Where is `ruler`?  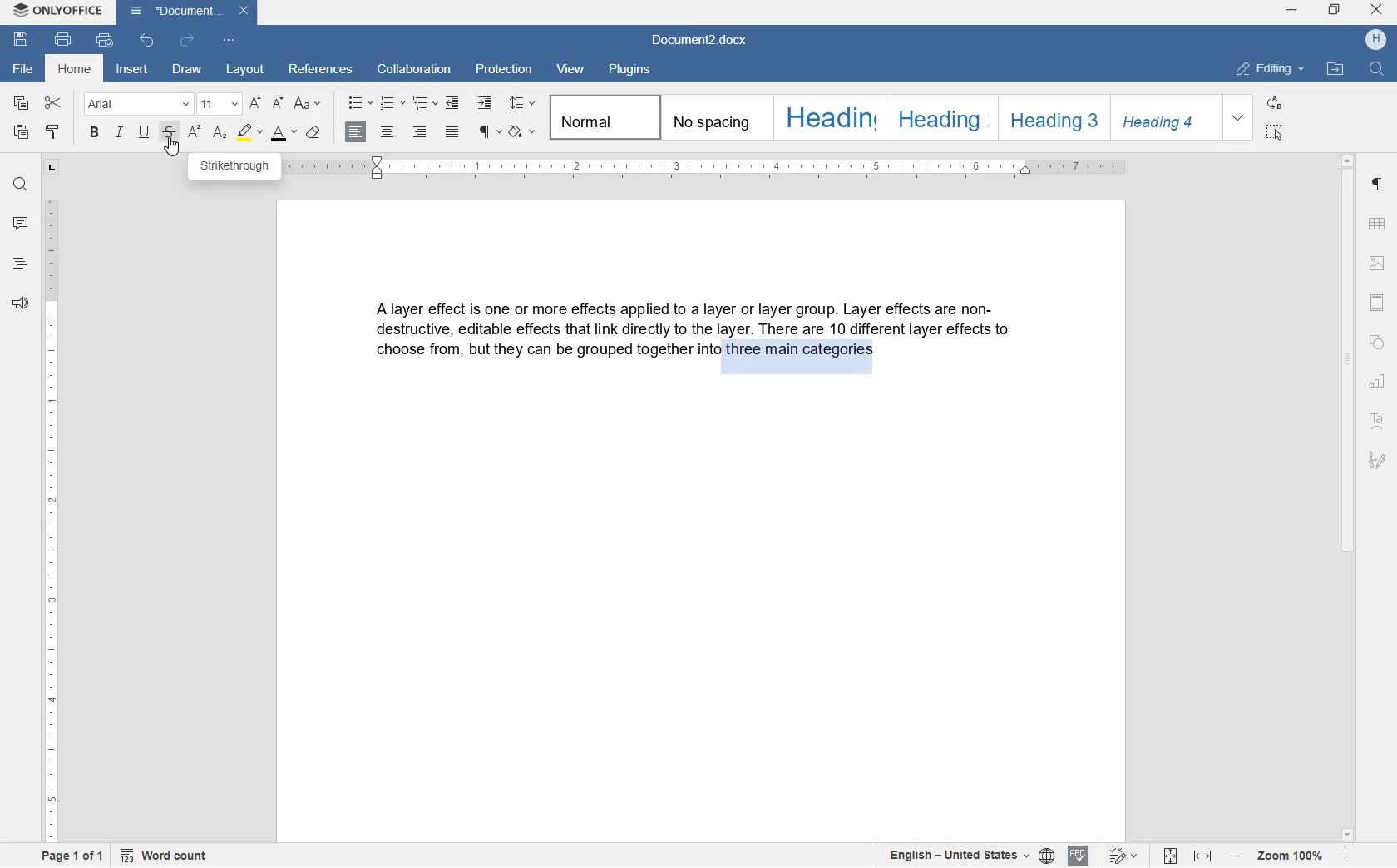 ruler is located at coordinates (52, 520).